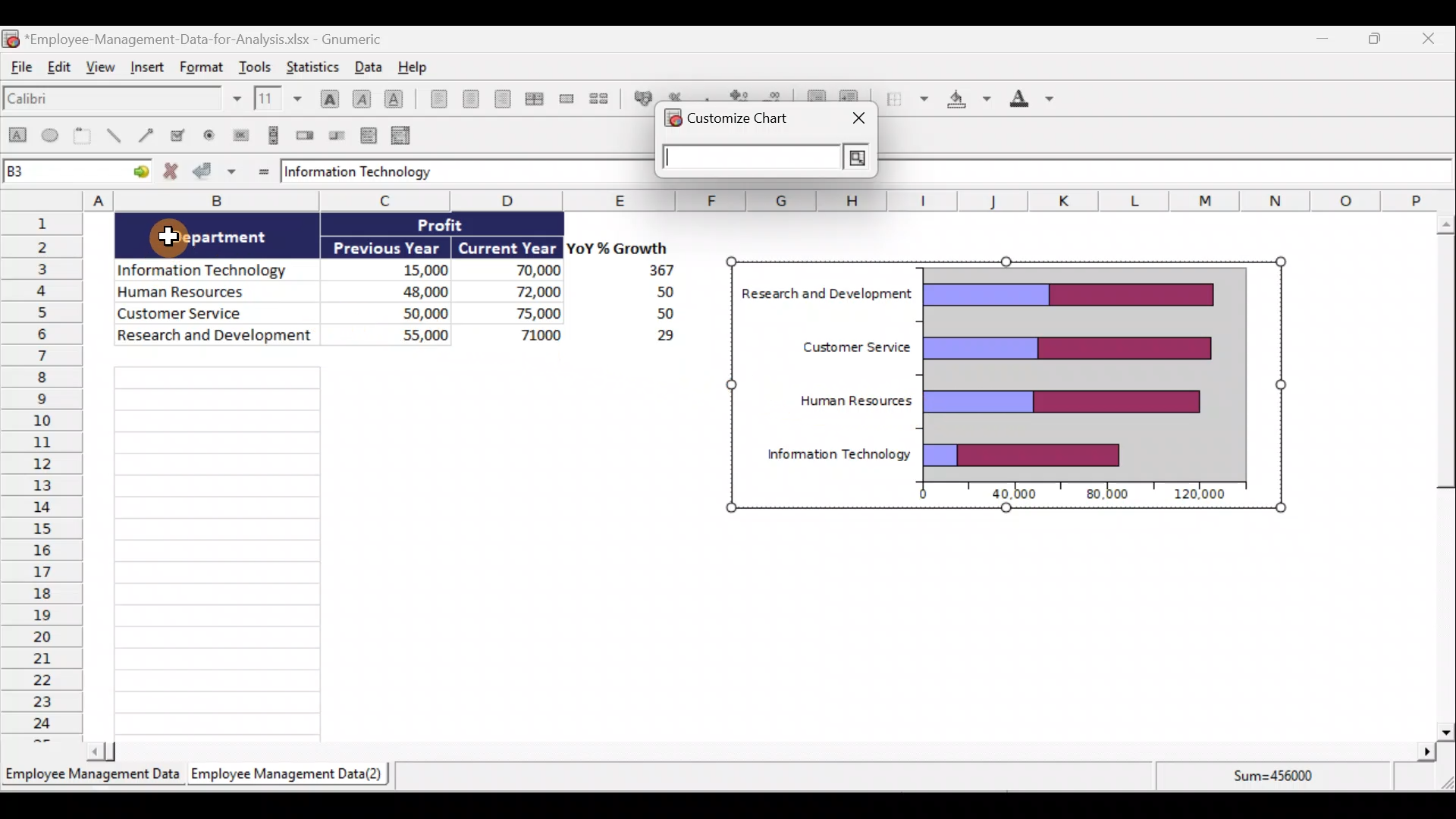 The width and height of the screenshot is (1456, 819). Describe the element at coordinates (657, 338) in the screenshot. I see `29` at that location.